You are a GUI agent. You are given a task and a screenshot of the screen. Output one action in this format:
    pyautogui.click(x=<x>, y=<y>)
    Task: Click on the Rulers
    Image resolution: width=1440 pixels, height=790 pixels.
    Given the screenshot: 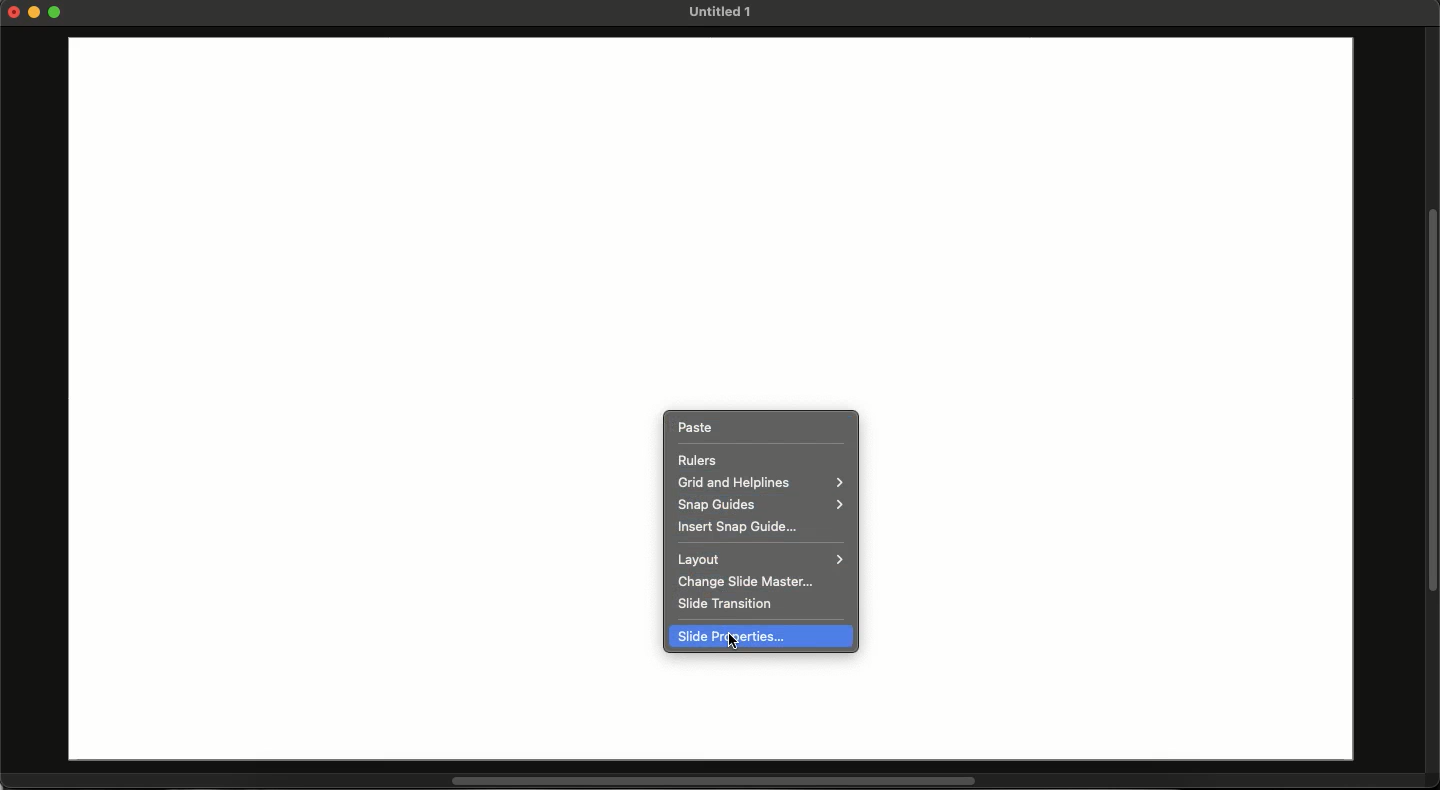 What is the action you would take?
    pyautogui.click(x=700, y=458)
    